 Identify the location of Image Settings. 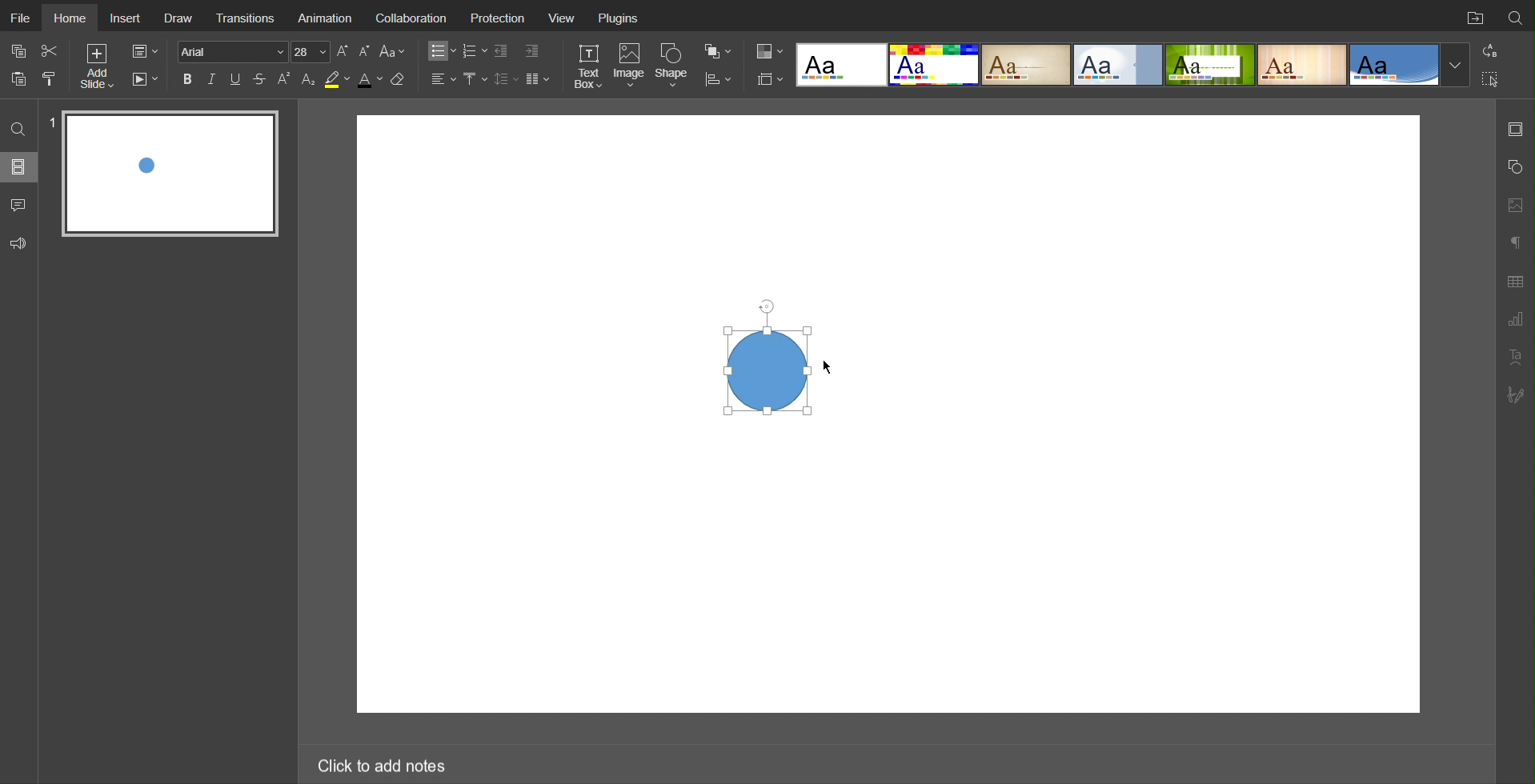
(1514, 203).